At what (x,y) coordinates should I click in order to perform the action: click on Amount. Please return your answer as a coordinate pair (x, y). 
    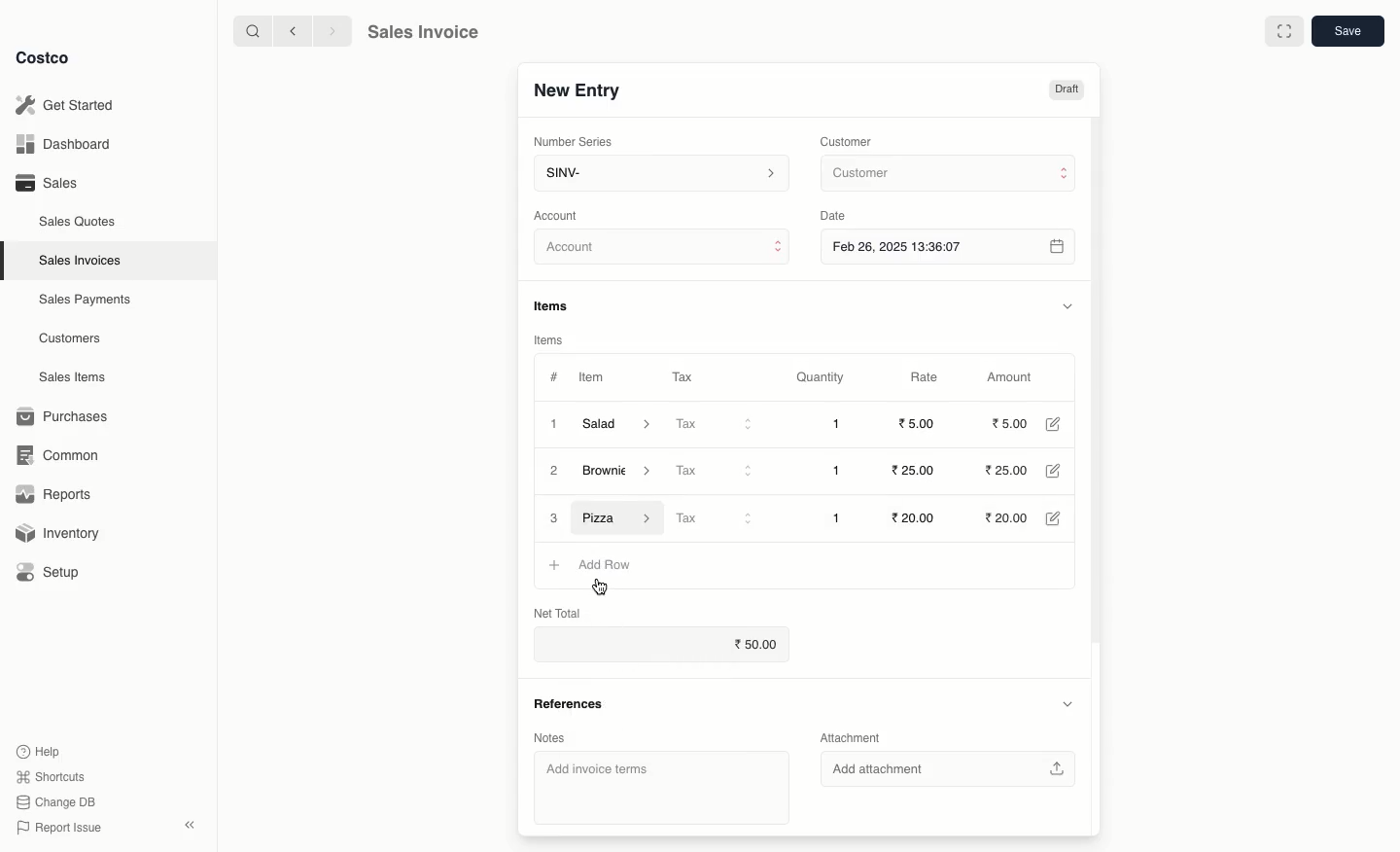
    Looking at the image, I should click on (1015, 377).